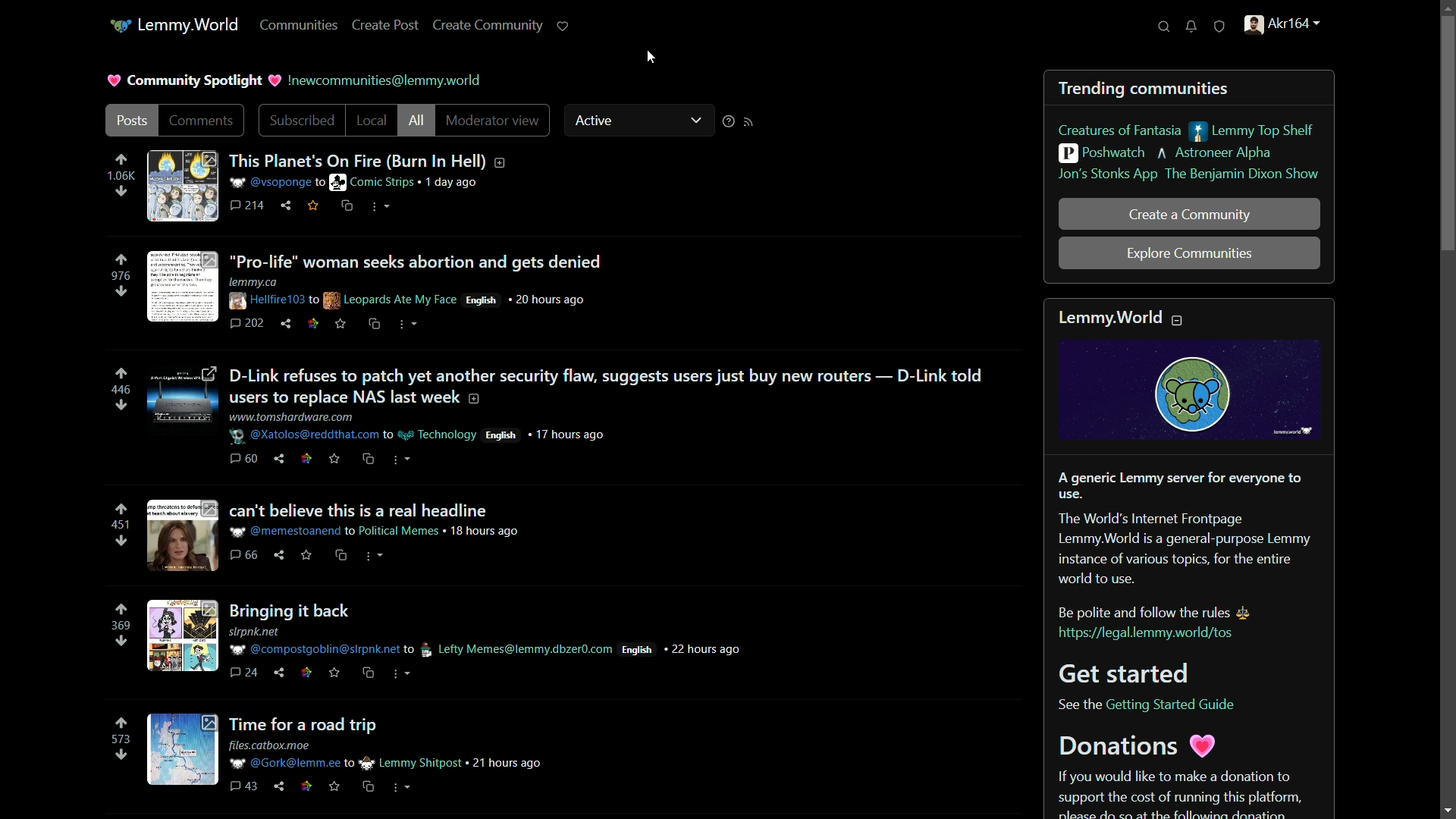 The height and width of the screenshot is (819, 1456). What do you see at coordinates (131, 120) in the screenshot?
I see `posts` at bounding box center [131, 120].